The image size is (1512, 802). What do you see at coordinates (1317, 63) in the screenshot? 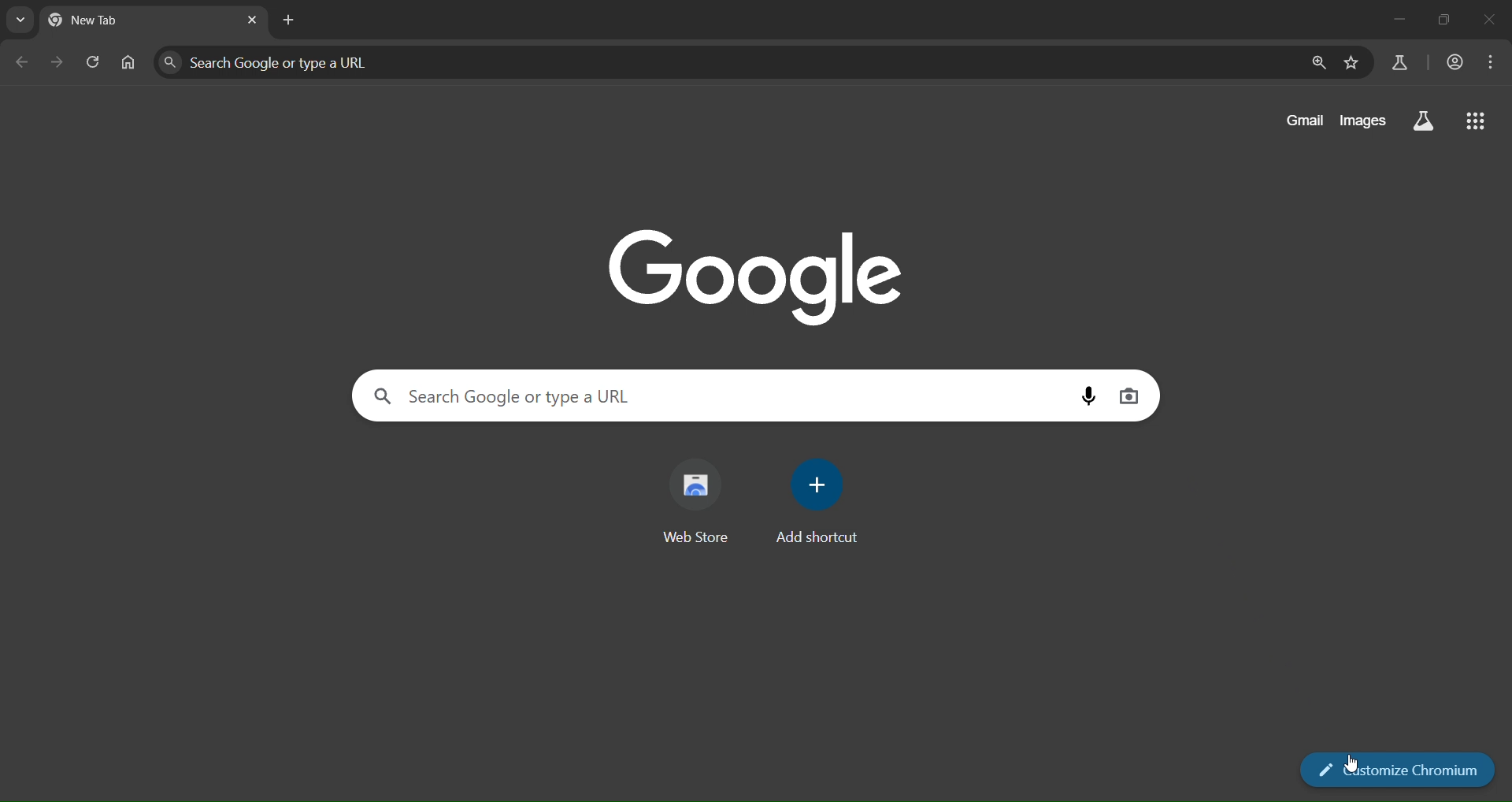
I see `zoom ` at bounding box center [1317, 63].